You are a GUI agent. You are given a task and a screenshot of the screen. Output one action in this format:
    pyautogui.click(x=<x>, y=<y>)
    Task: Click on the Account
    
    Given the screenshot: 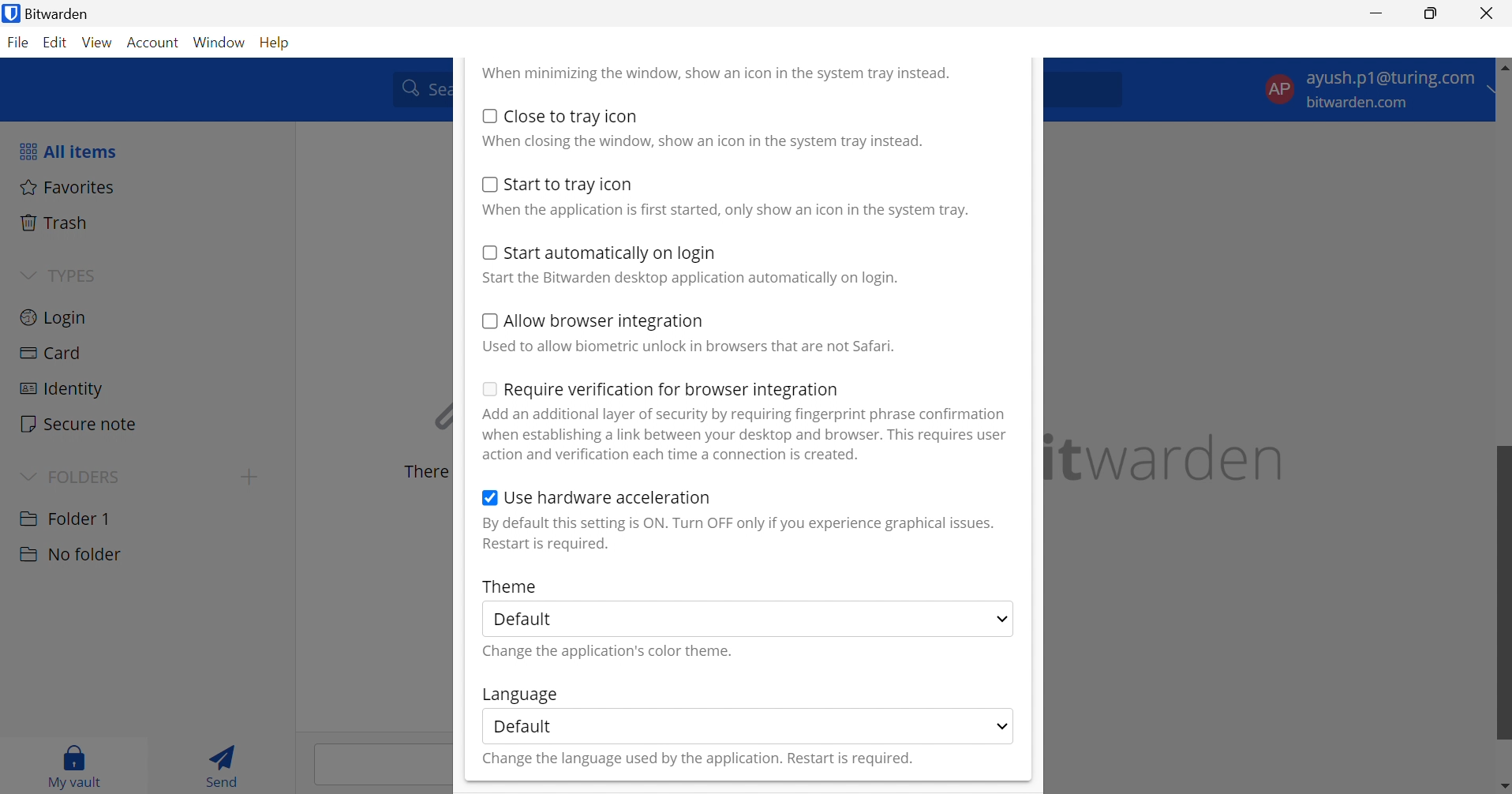 What is the action you would take?
    pyautogui.click(x=155, y=43)
    